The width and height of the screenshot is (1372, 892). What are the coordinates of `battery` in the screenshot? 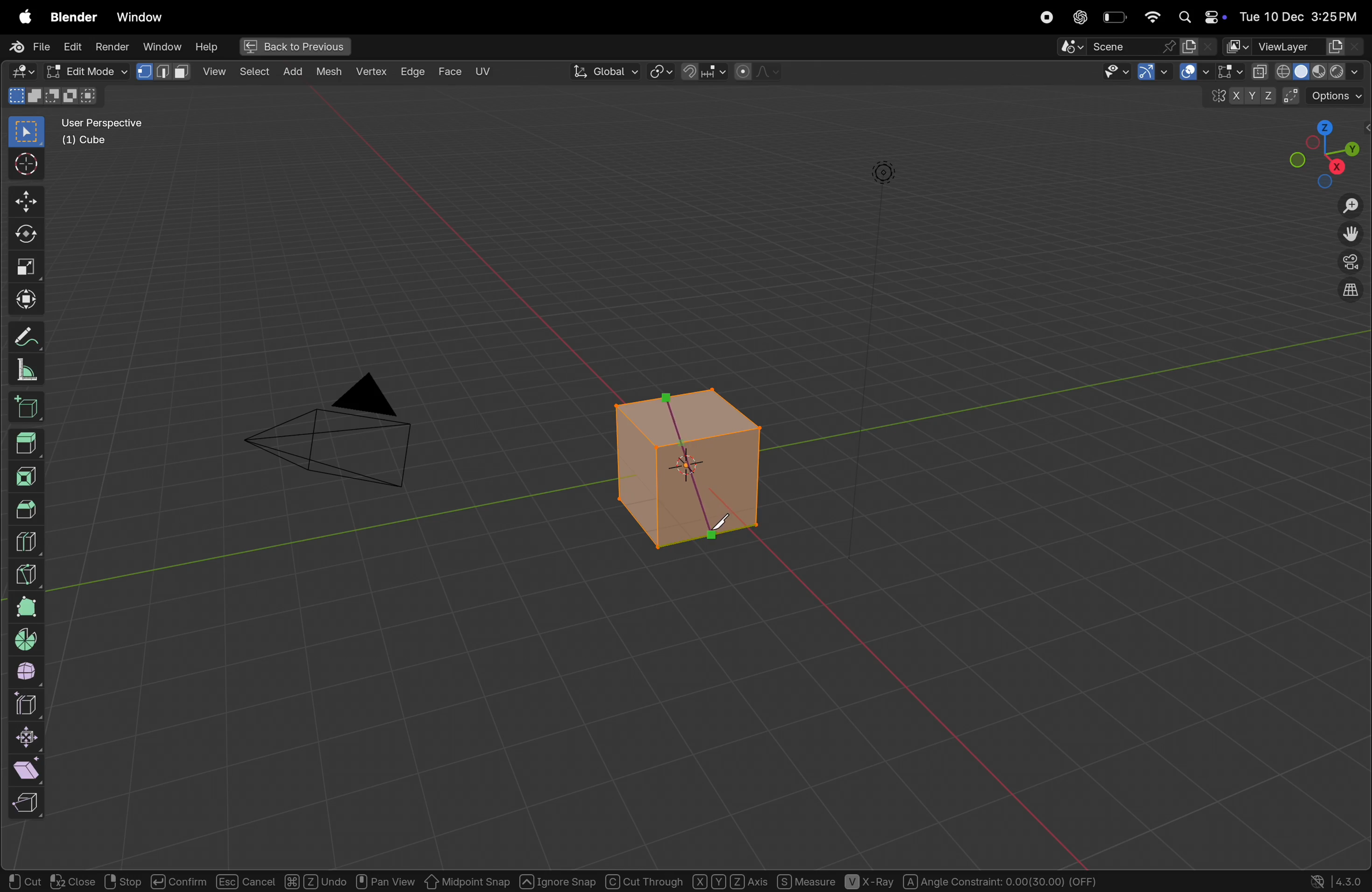 It's located at (1114, 18).